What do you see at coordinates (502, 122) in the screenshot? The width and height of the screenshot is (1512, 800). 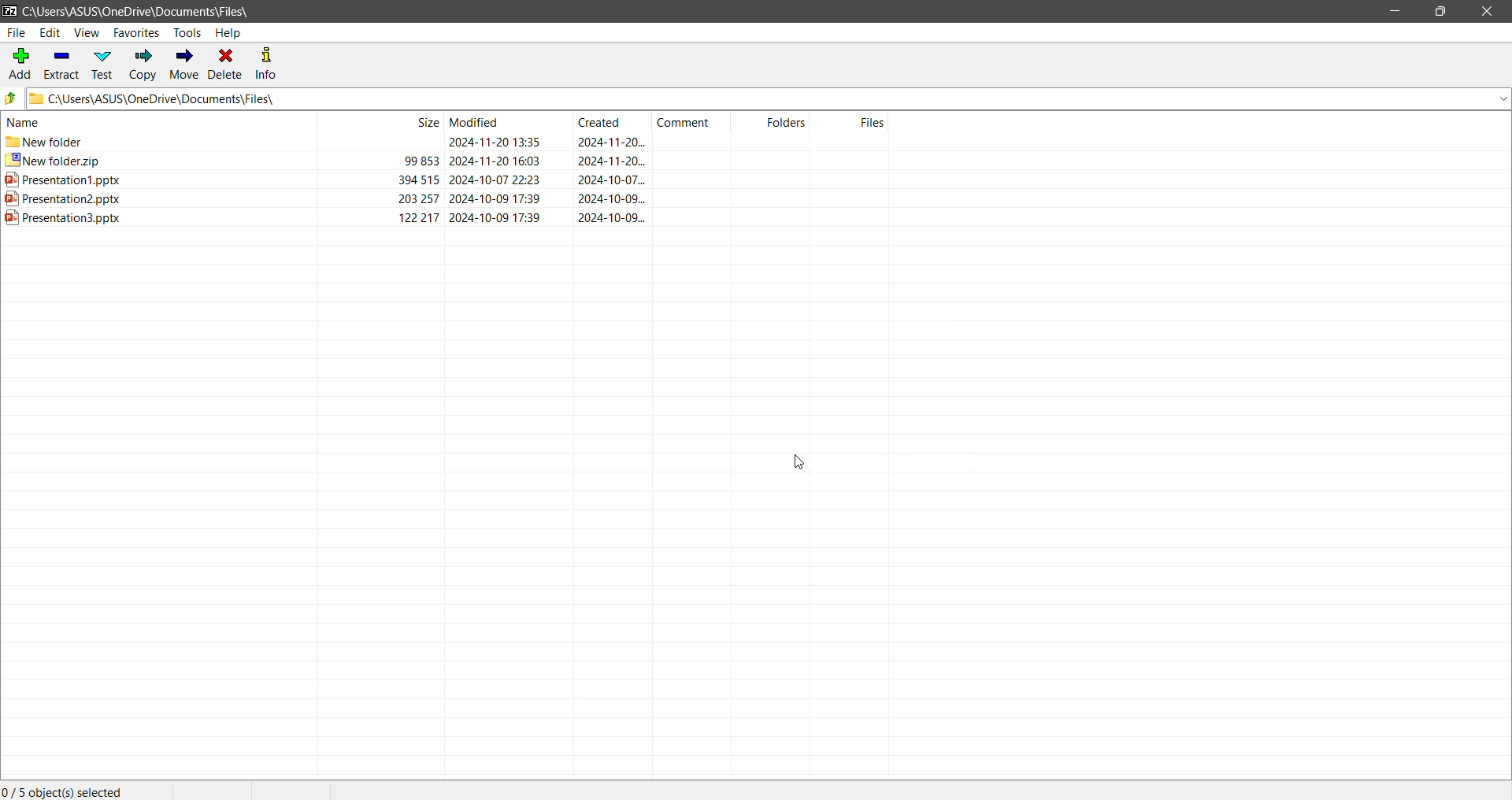 I see `Files Modified Date` at bounding box center [502, 122].